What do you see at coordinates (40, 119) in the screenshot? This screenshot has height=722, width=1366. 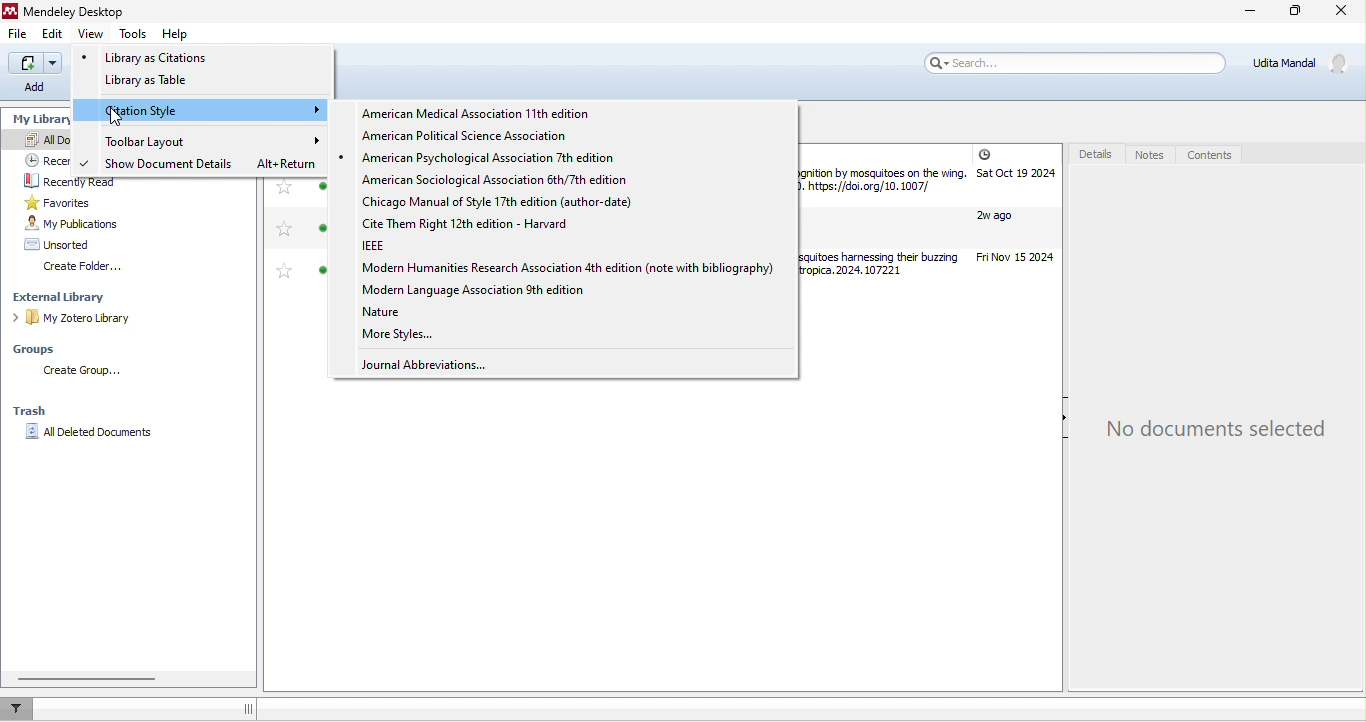 I see `My Library` at bounding box center [40, 119].